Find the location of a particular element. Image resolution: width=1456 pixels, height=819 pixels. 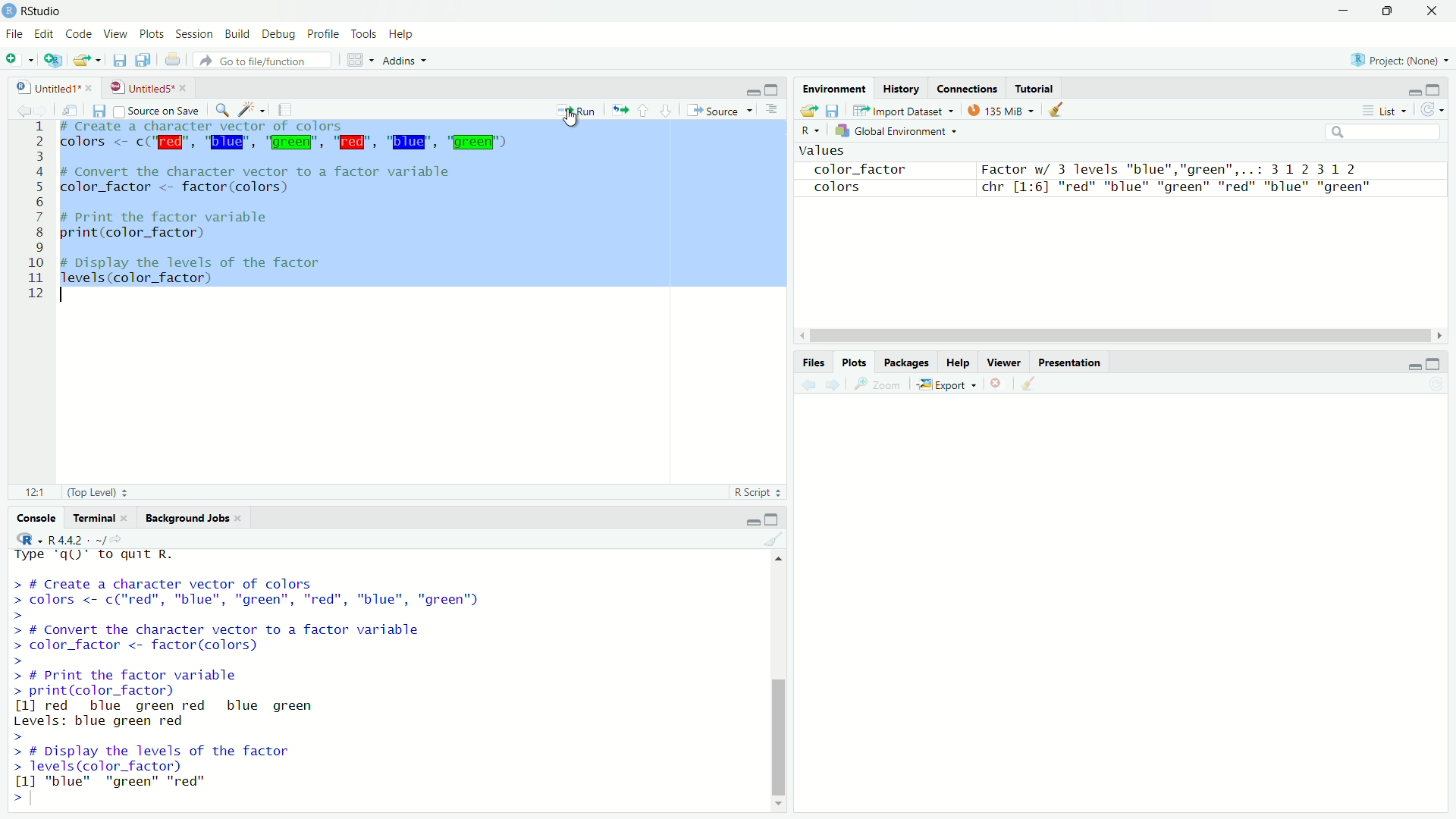

maximize is located at coordinates (774, 517).